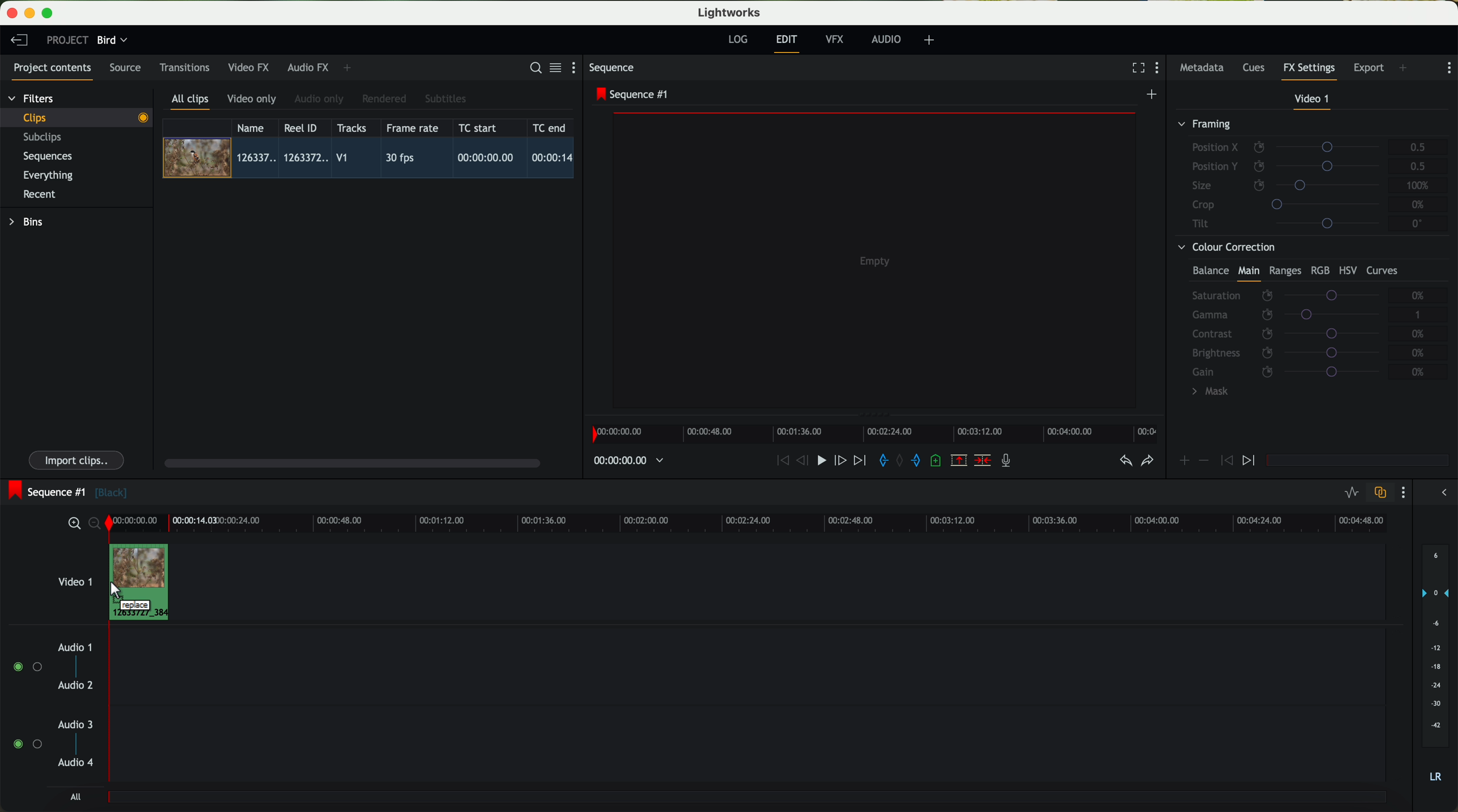 This screenshot has width=1458, height=812. What do you see at coordinates (255, 128) in the screenshot?
I see `name` at bounding box center [255, 128].